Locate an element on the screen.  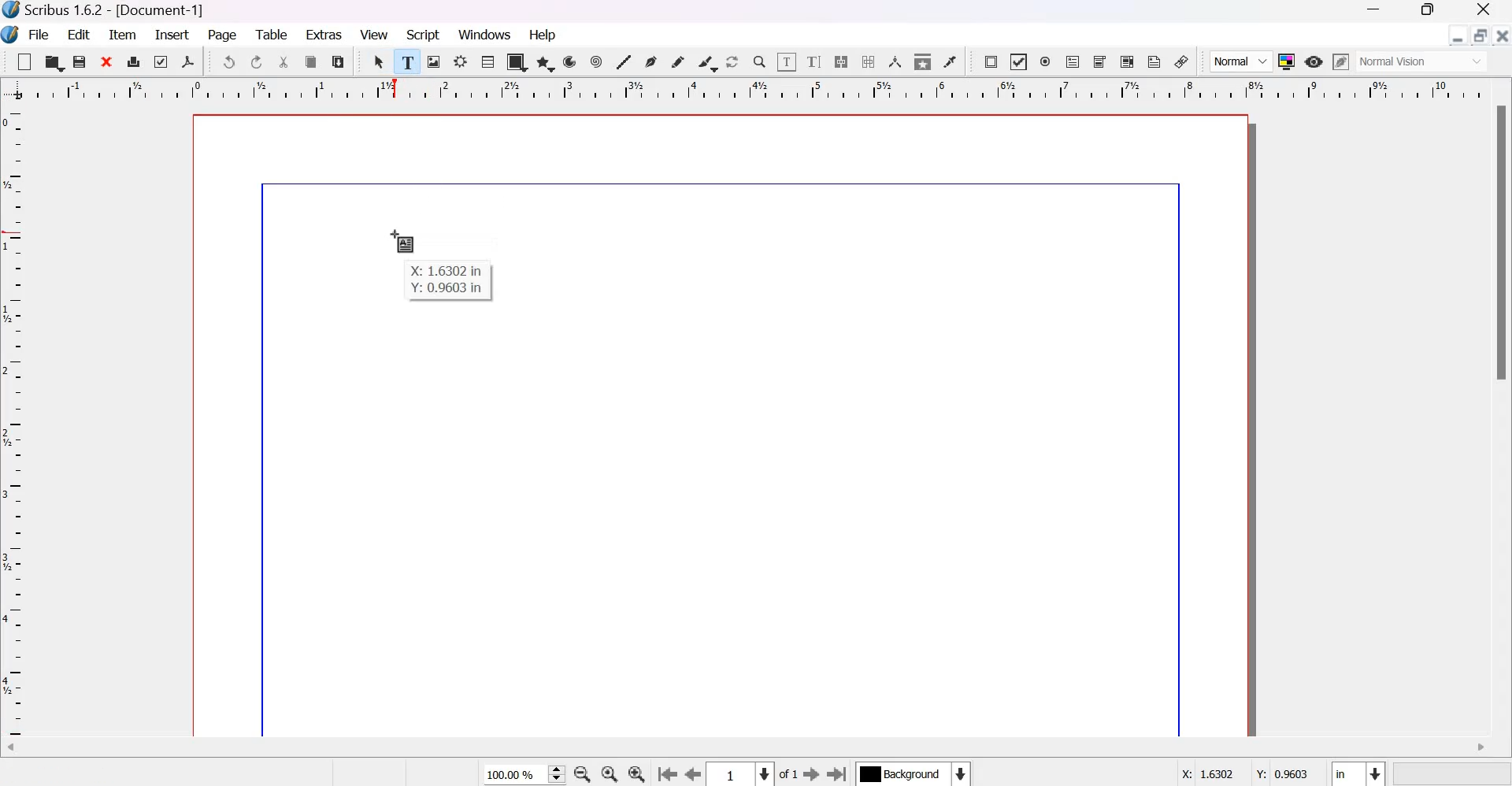
unlink text frames is located at coordinates (867, 61).